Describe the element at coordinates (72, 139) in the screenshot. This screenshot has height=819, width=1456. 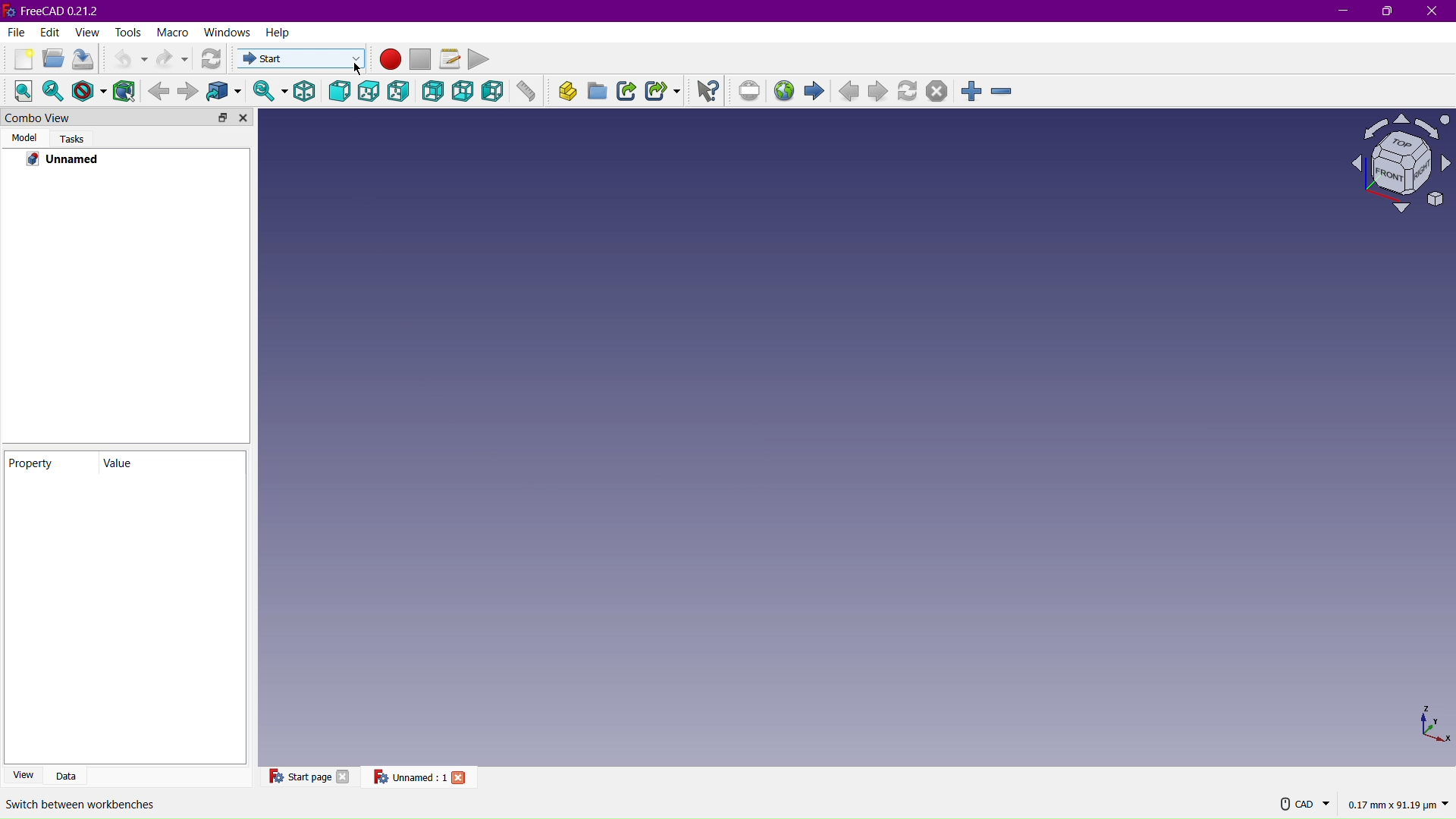
I see `Tasks` at that location.